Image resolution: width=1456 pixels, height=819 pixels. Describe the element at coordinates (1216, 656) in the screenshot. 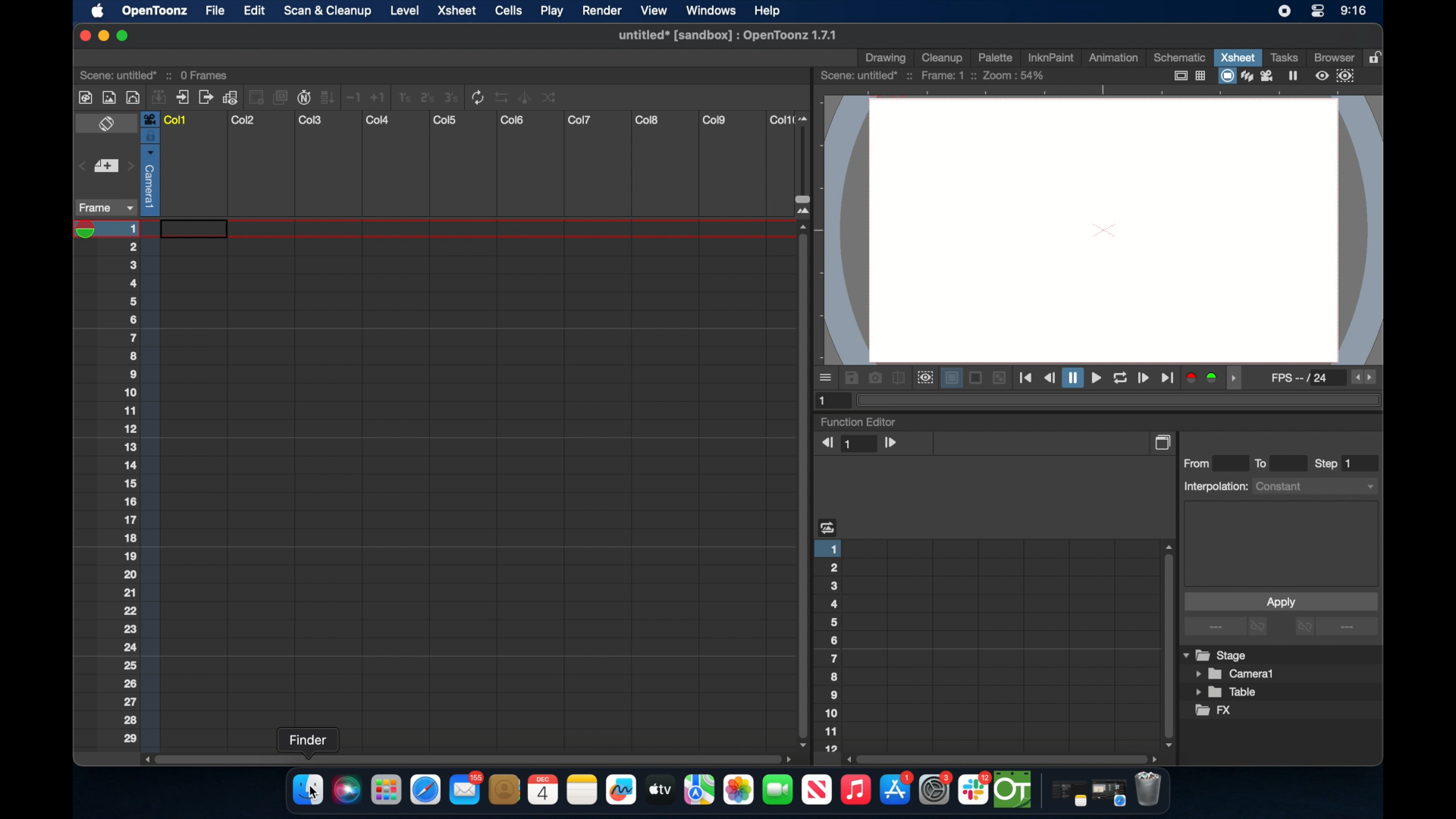

I see `stage` at that location.